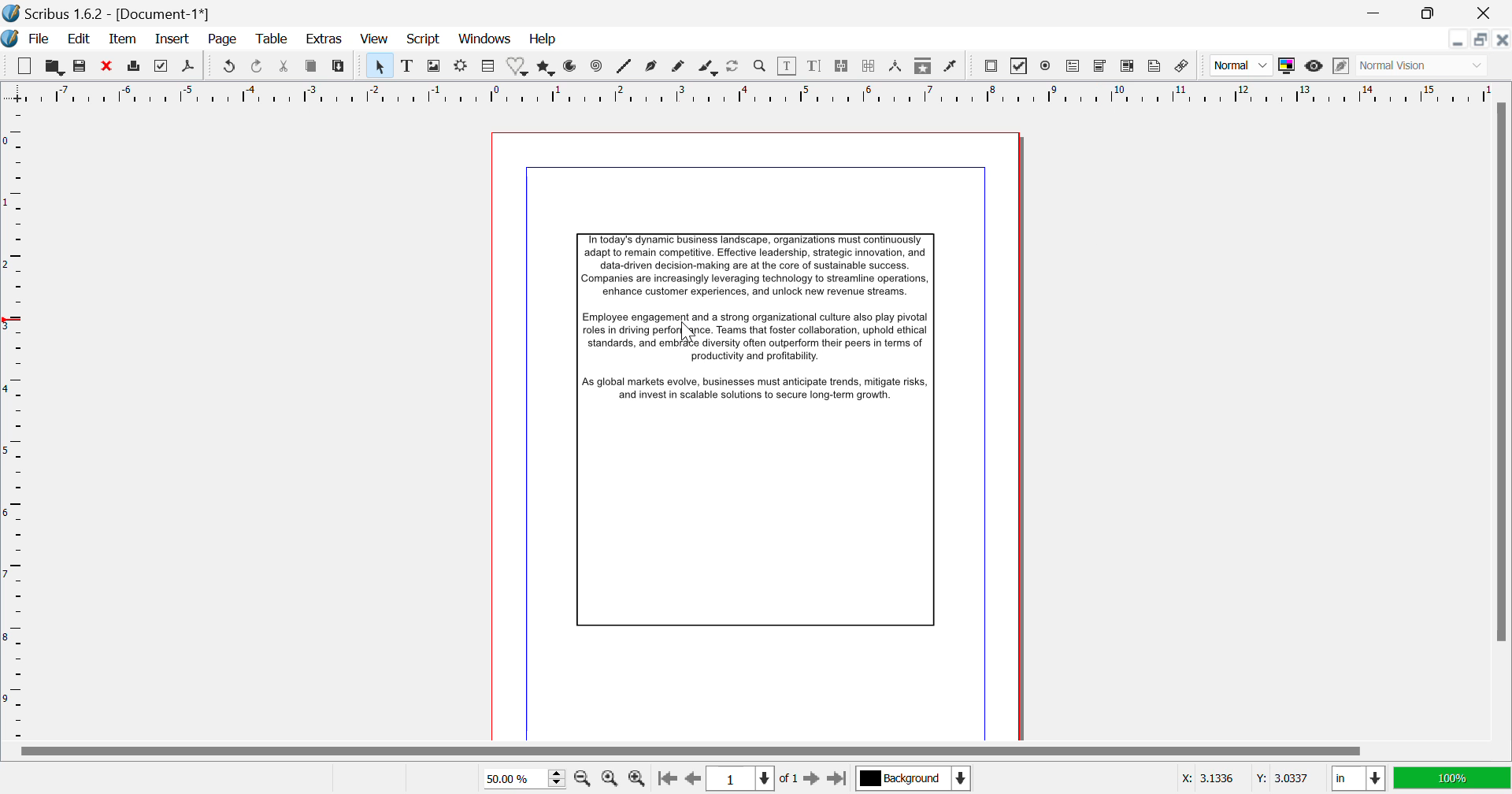  Describe the element at coordinates (765, 750) in the screenshot. I see `Scroll Bar` at that location.